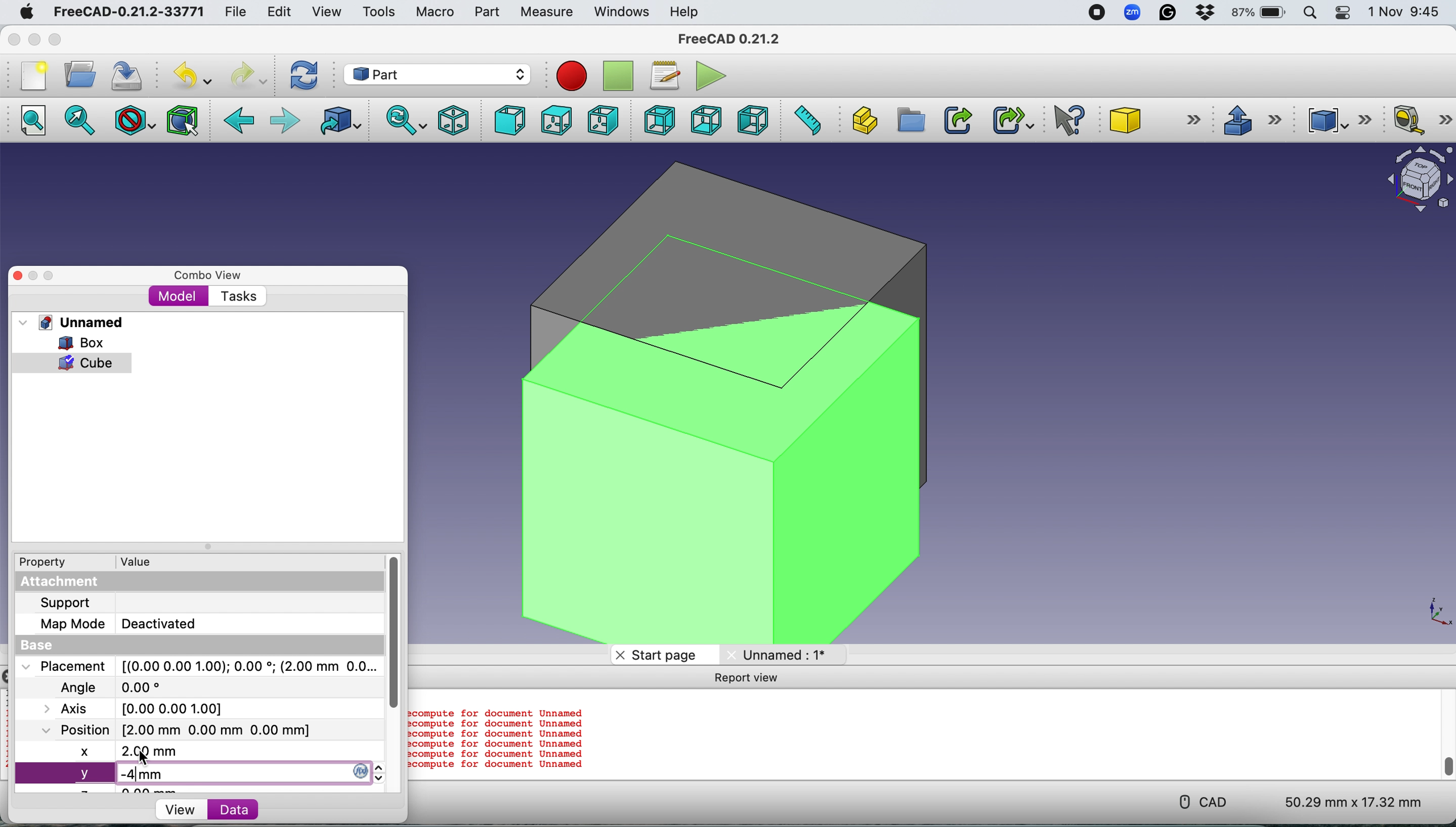 The width and height of the screenshot is (1456, 827). Describe the element at coordinates (18, 276) in the screenshot. I see `Close` at that location.